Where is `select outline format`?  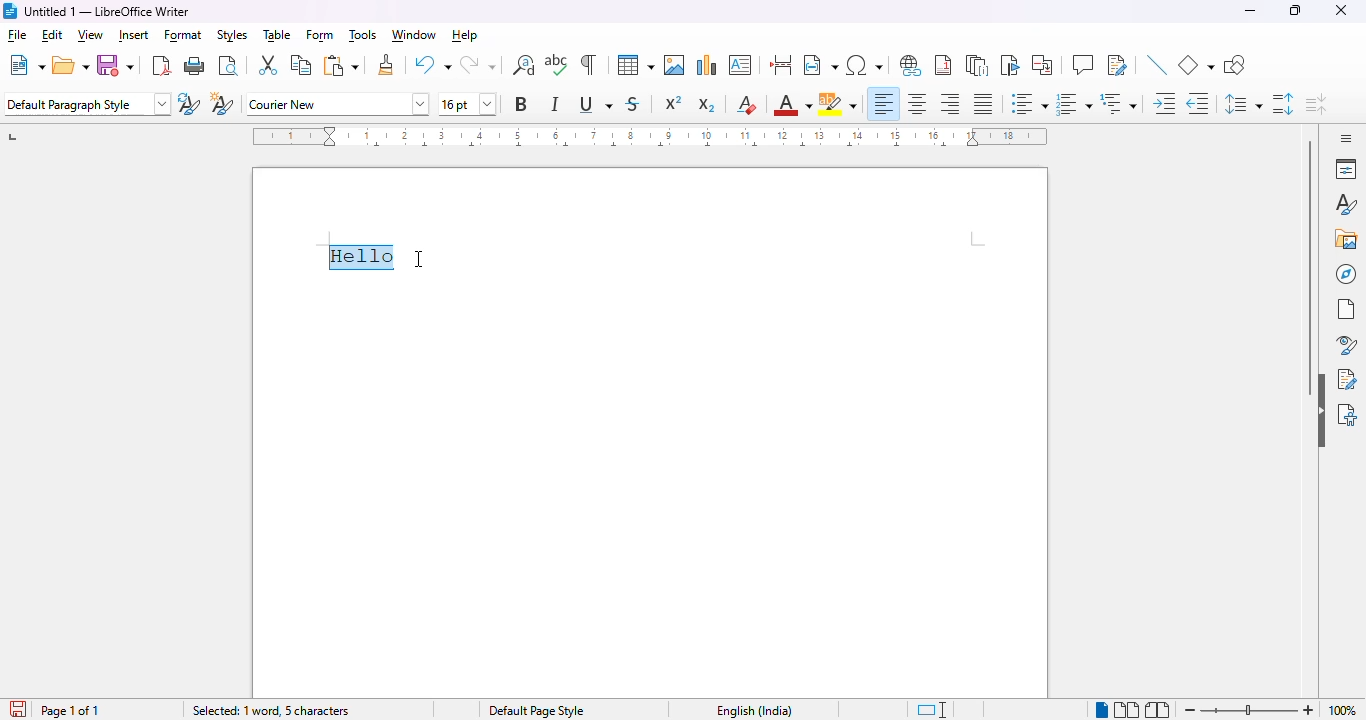 select outline format is located at coordinates (1119, 103).